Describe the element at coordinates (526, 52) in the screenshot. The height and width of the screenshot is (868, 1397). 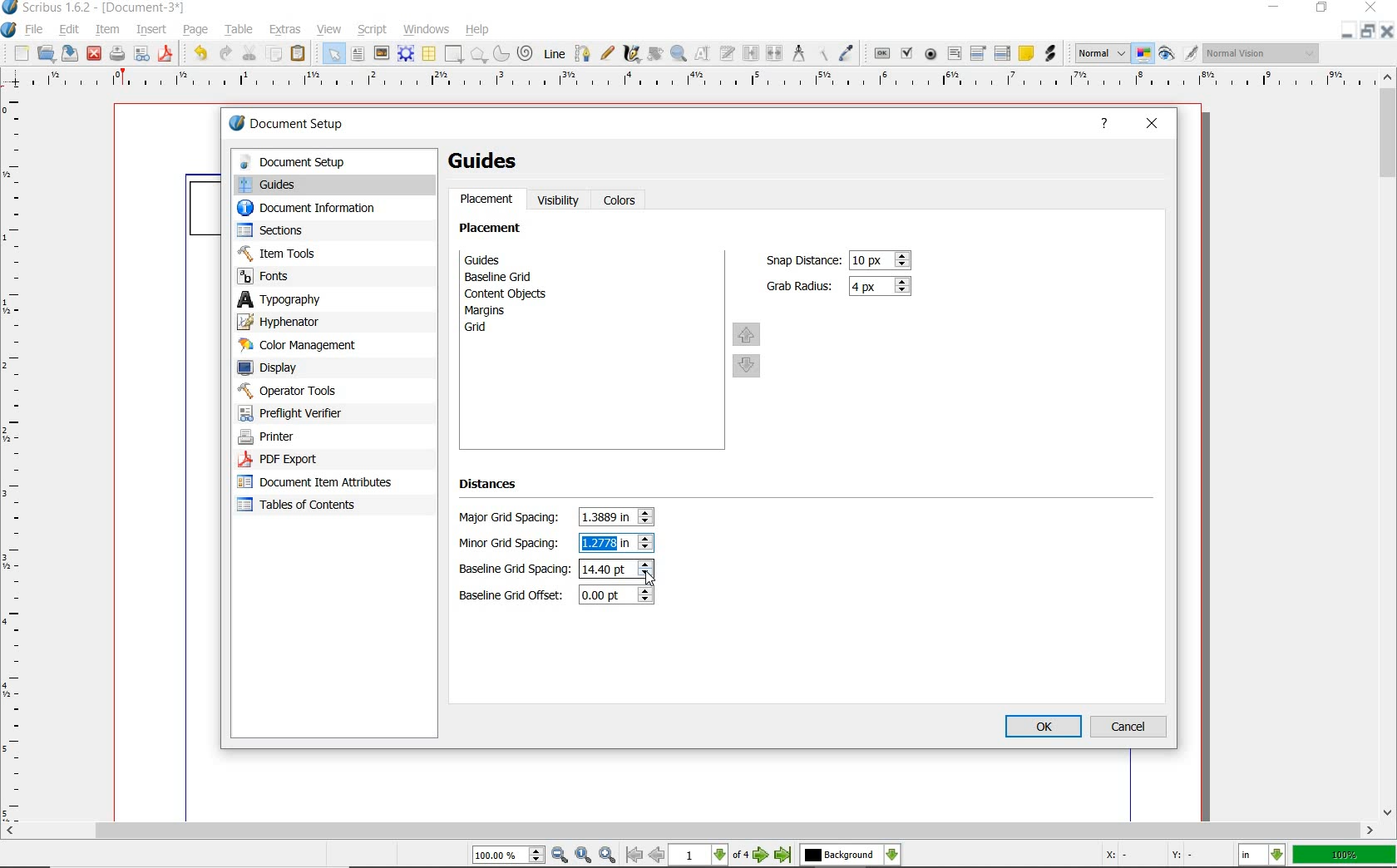
I see `spiral` at that location.